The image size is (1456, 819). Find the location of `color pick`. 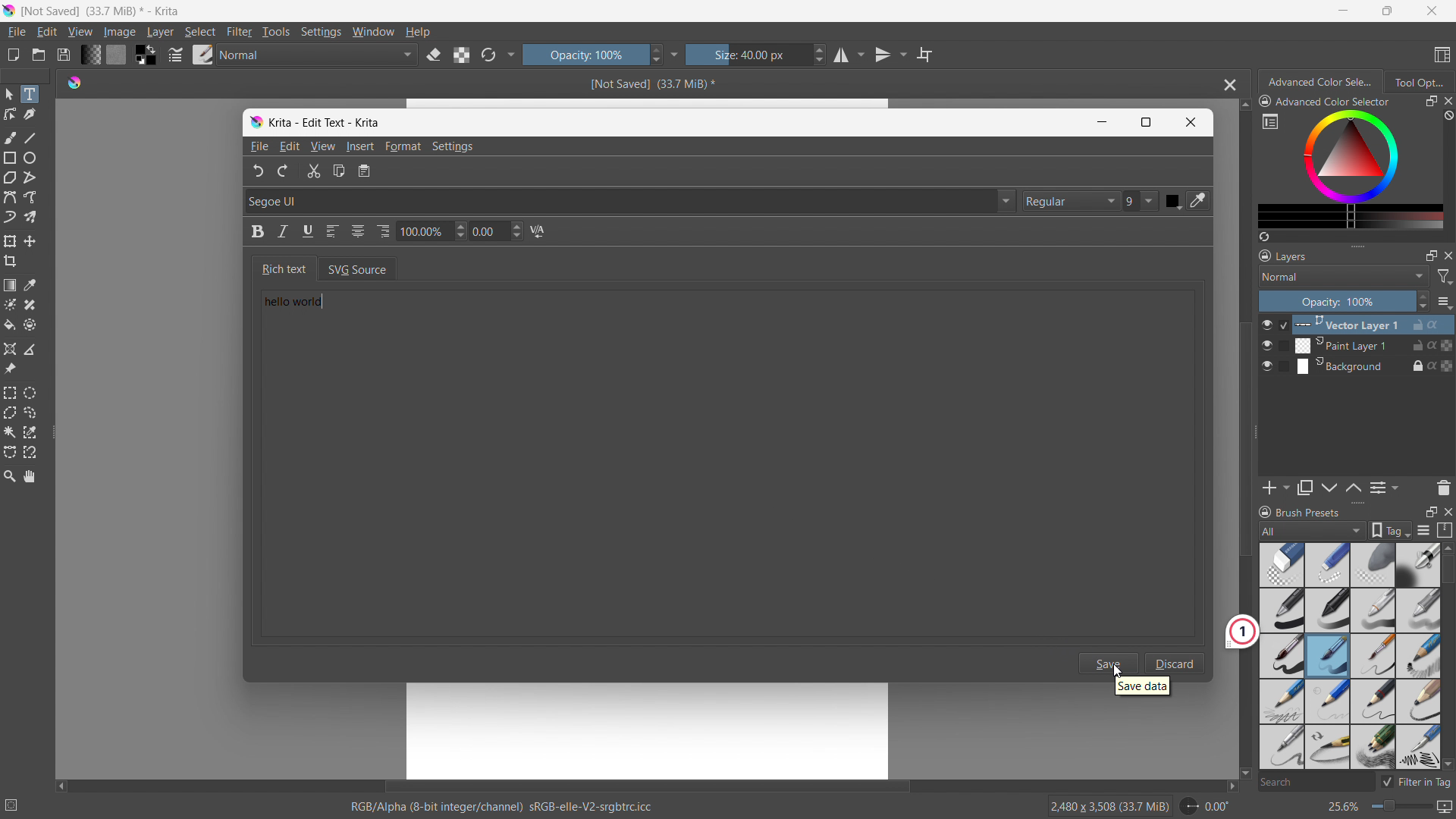

color pick is located at coordinates (1200, 201).